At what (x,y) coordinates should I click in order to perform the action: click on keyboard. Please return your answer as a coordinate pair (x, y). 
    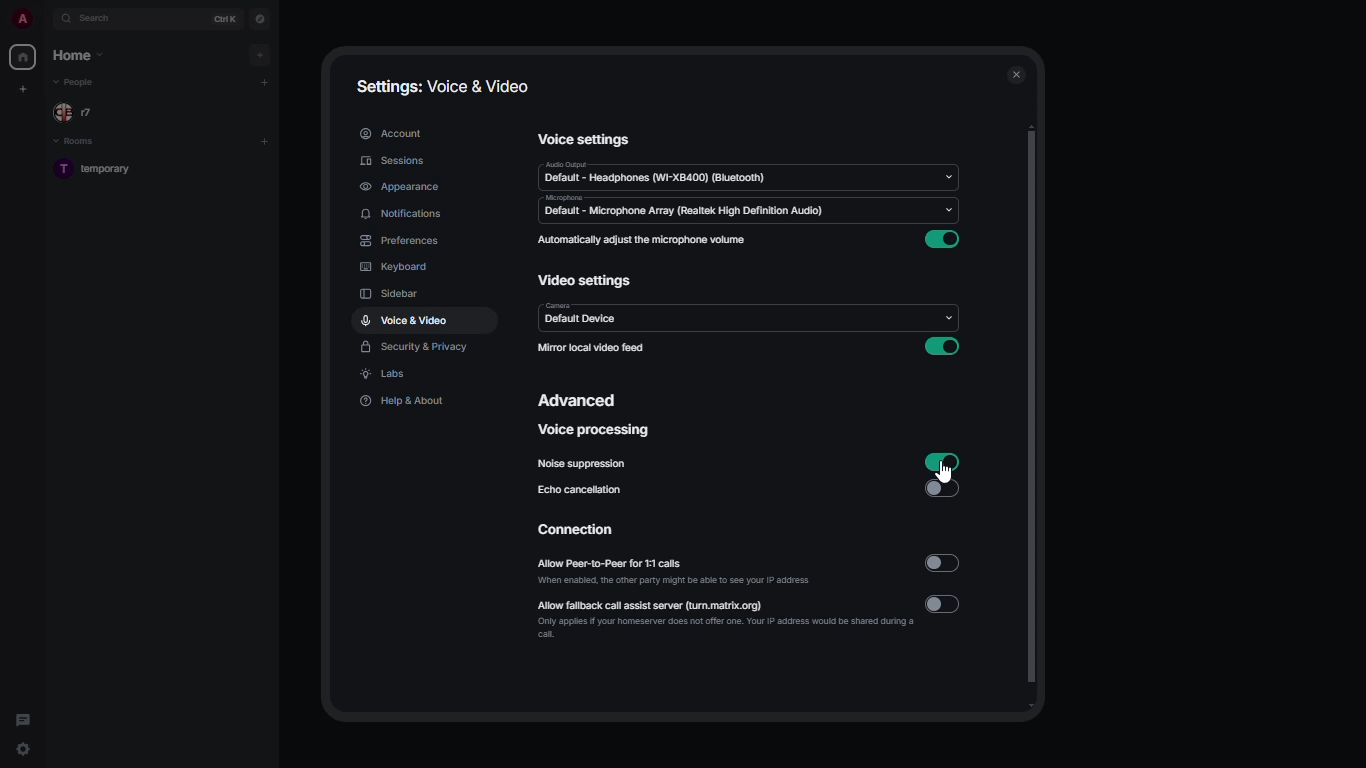
    Looking at the image, I should click on (397, 267).